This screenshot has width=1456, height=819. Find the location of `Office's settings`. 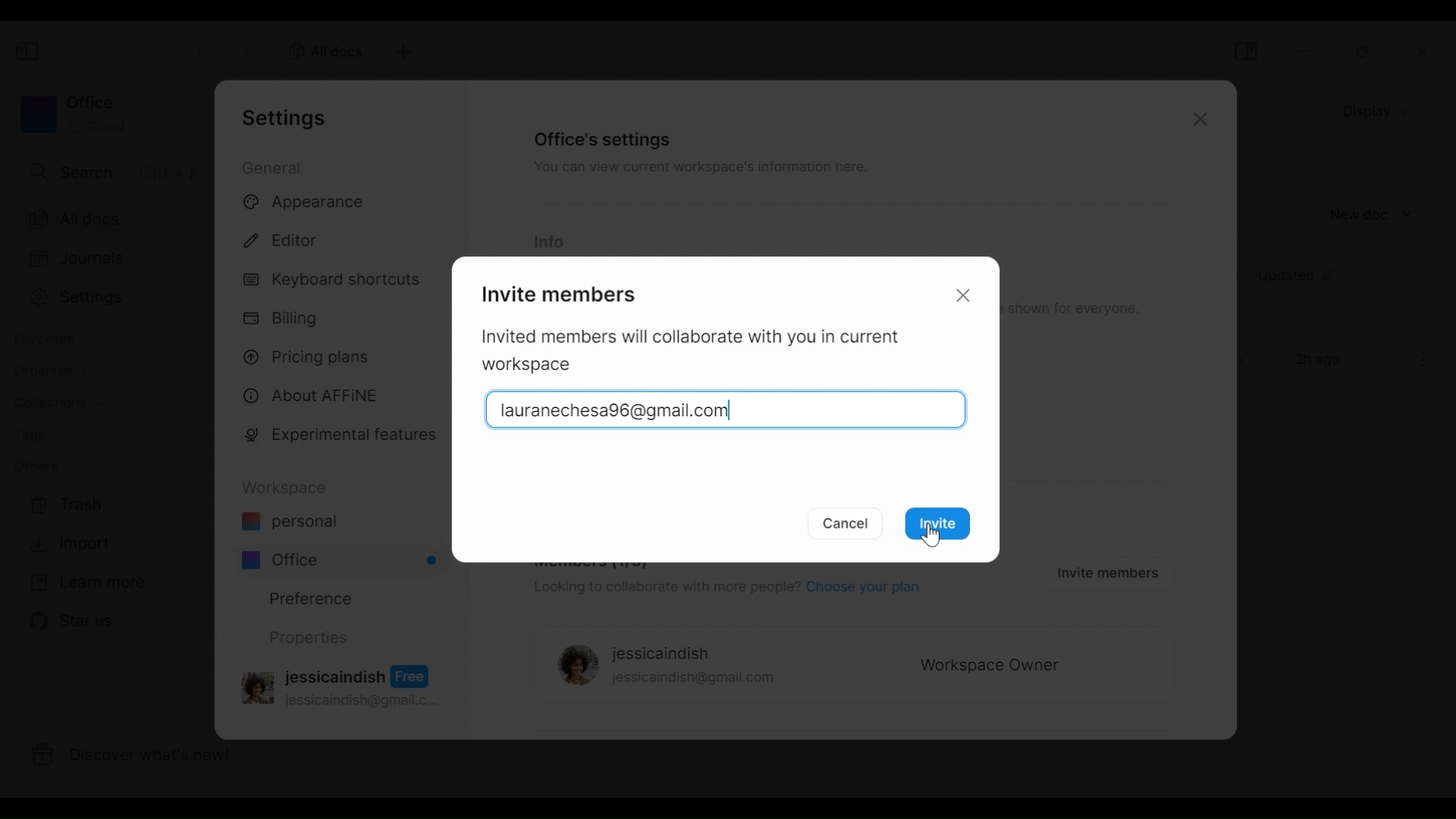

Office's settings is located at coordinates (604, 139).